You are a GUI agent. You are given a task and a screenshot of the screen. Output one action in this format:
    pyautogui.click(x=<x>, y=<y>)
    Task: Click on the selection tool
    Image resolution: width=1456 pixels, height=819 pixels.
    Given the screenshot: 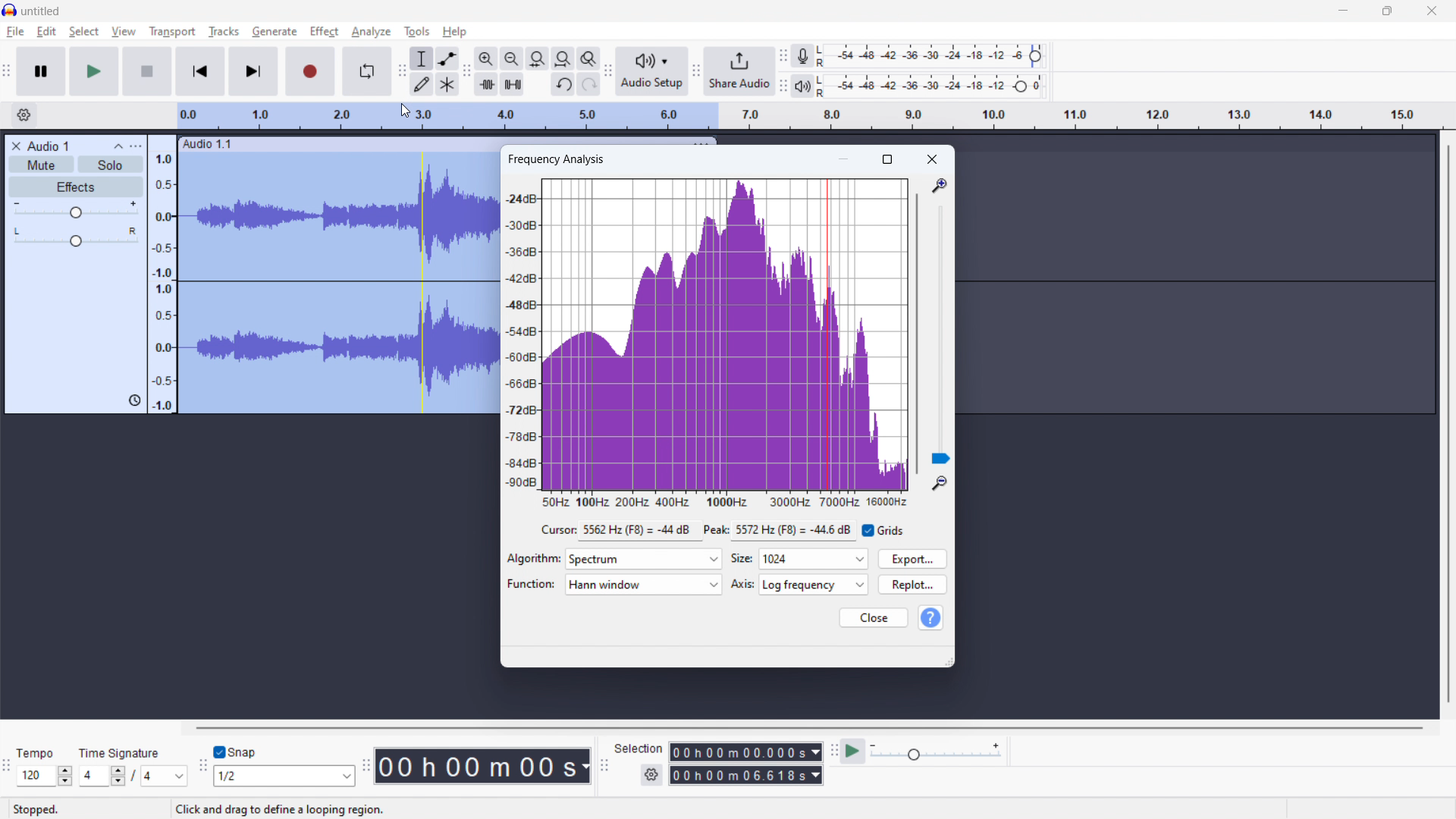 What is the action you would take?
    pyautogui.click(x=422, y=58)
    